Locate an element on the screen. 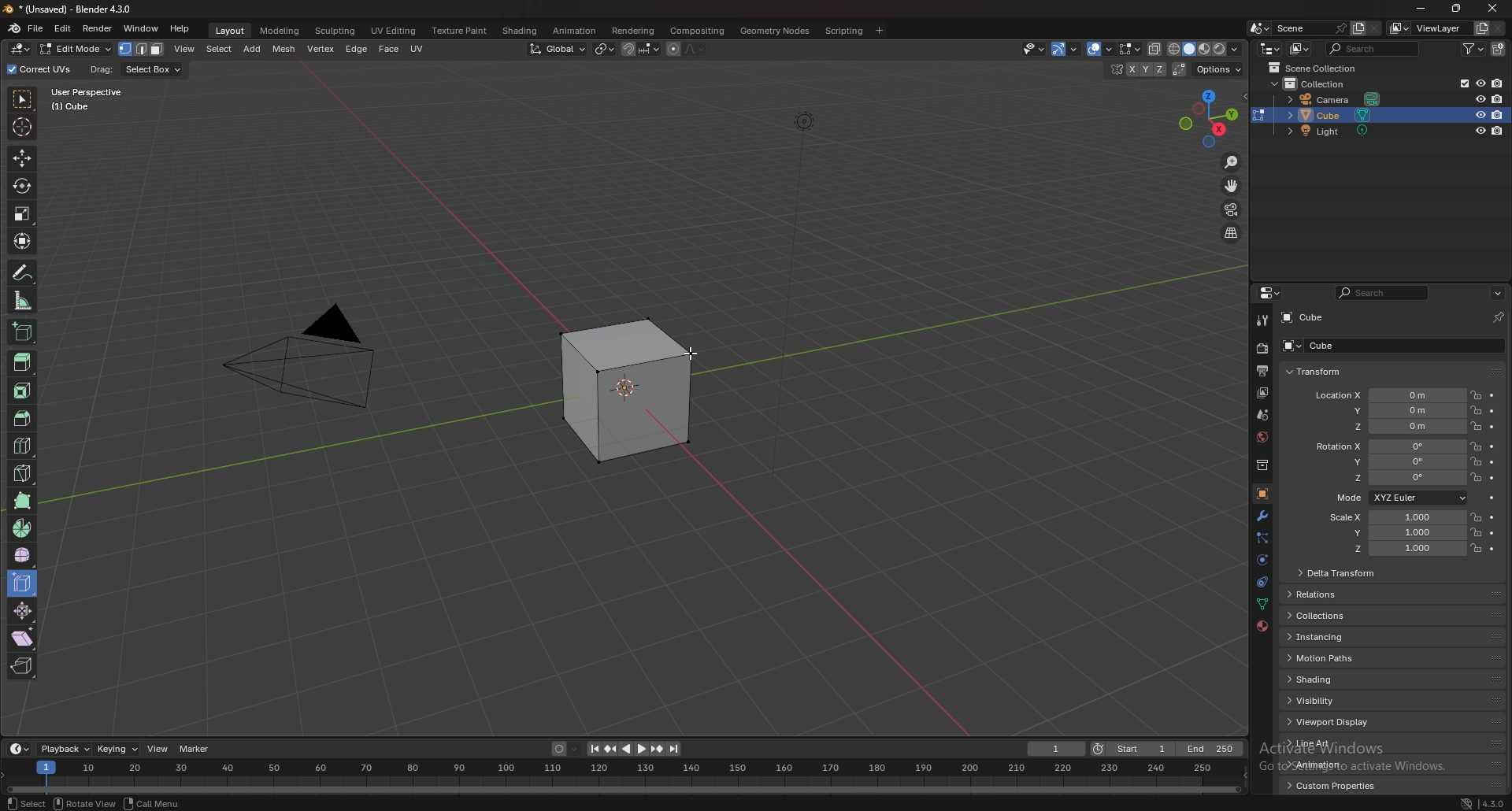 Image resolution: width=1512 pixels, height=811 pixels. remove view layer is located at coordinates (1498, 28).